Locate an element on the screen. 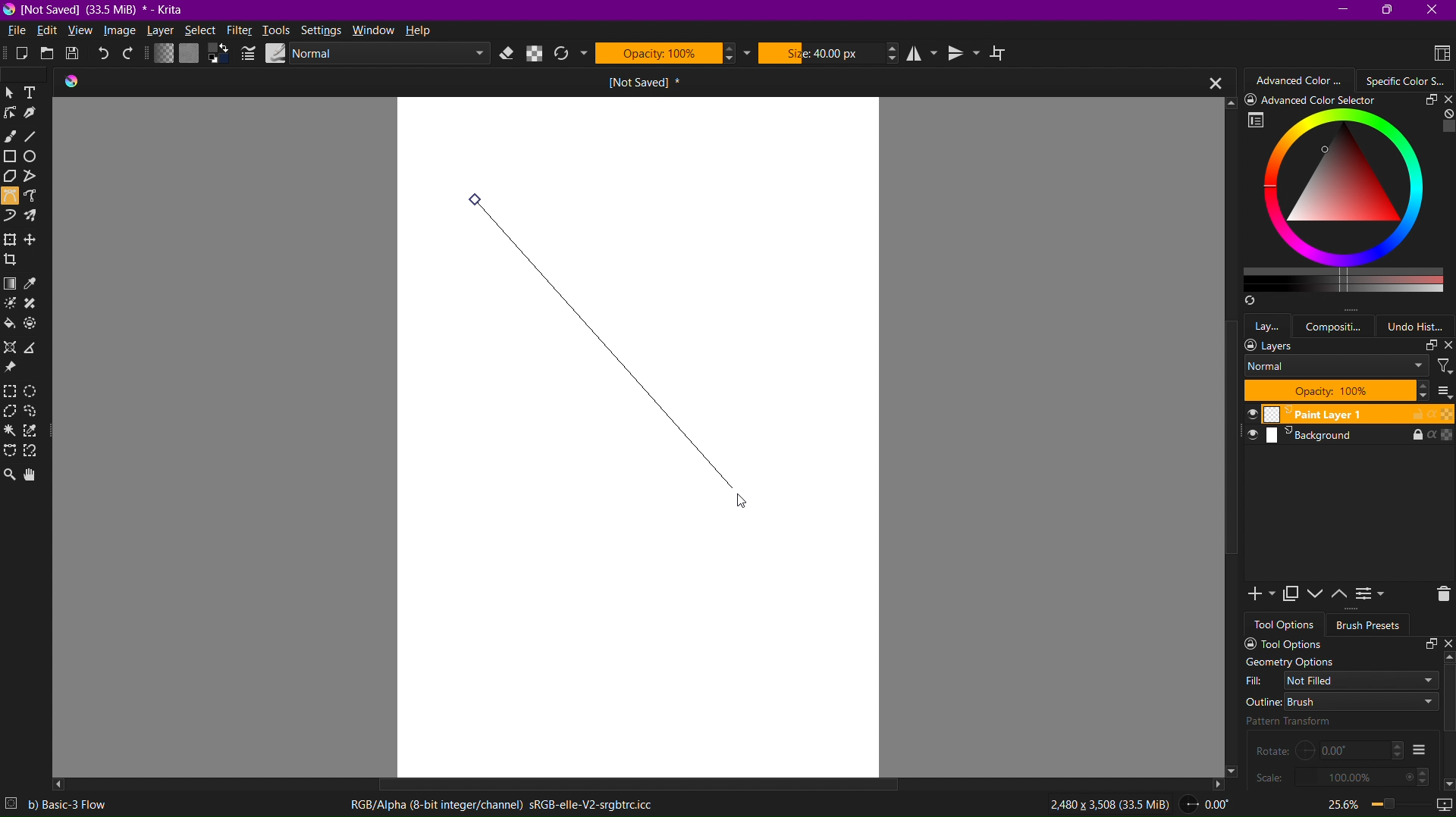  Smart Patch Tool is located at coordinates (36, 305).